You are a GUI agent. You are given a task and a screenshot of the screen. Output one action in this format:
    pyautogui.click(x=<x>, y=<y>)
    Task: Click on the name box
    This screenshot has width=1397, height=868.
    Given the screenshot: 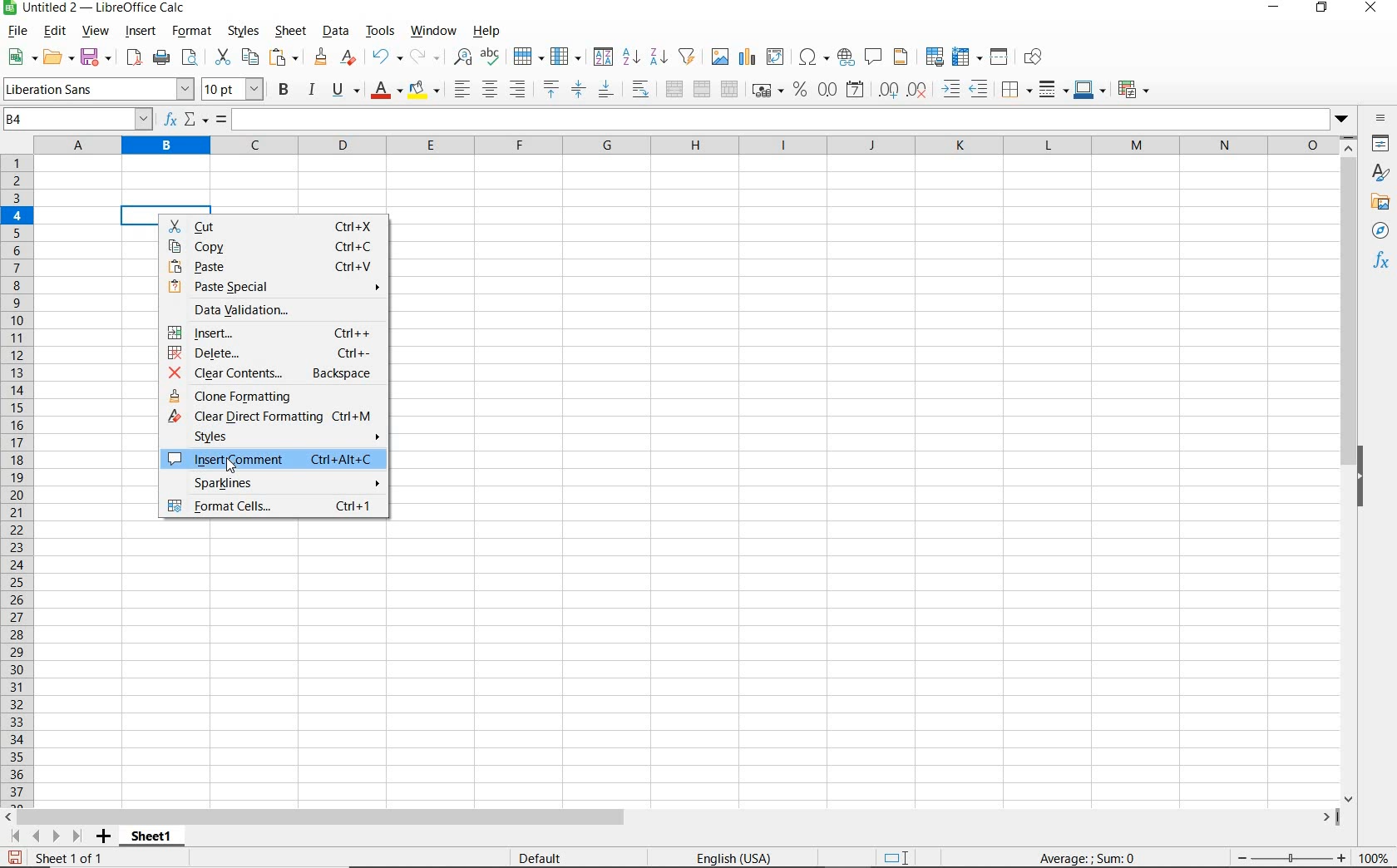 What is the action you would take?
    pyautogui.click(x=78, y=120)
    